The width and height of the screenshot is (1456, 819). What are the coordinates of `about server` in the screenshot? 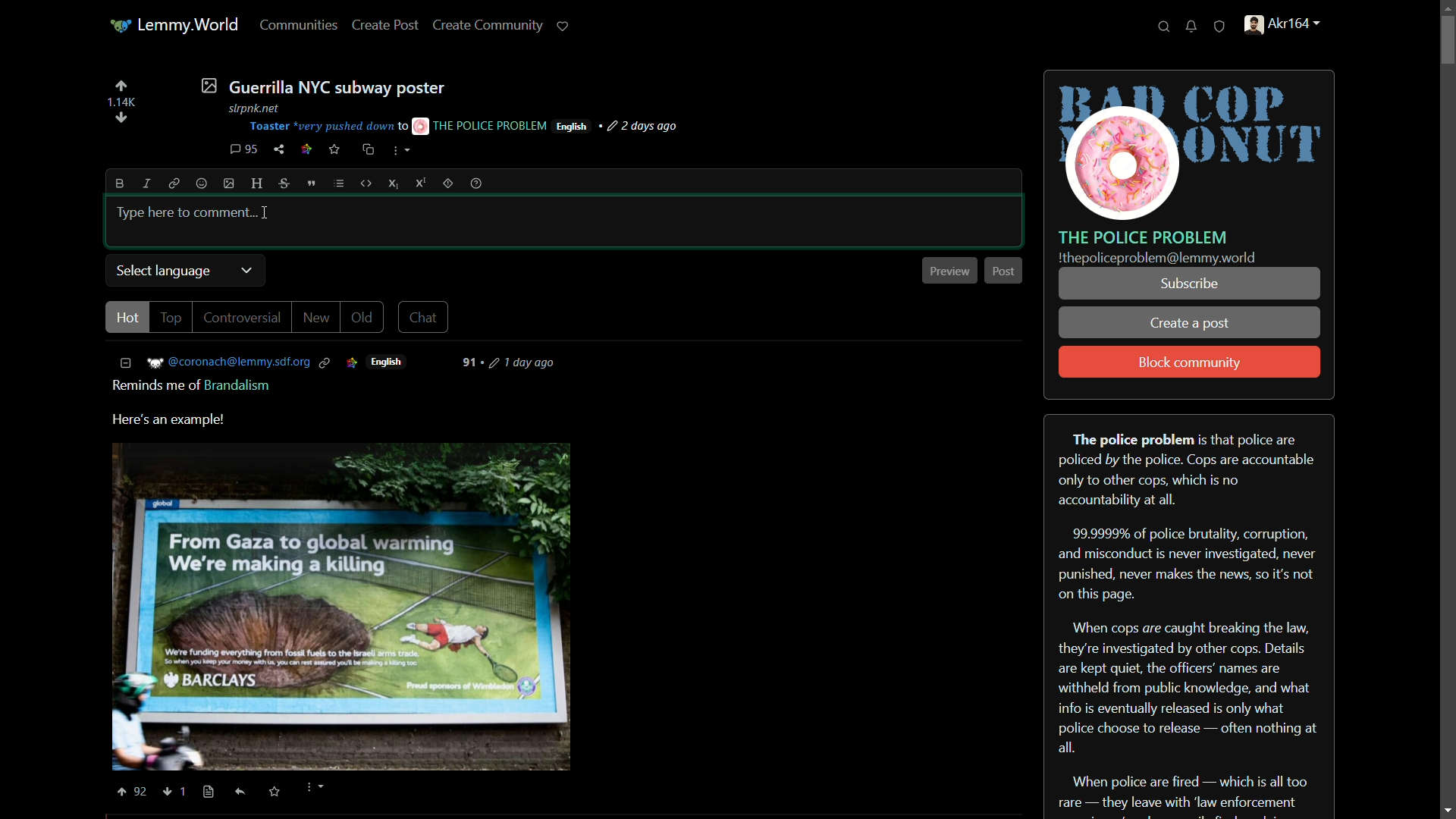 It's located at (1189, 615).